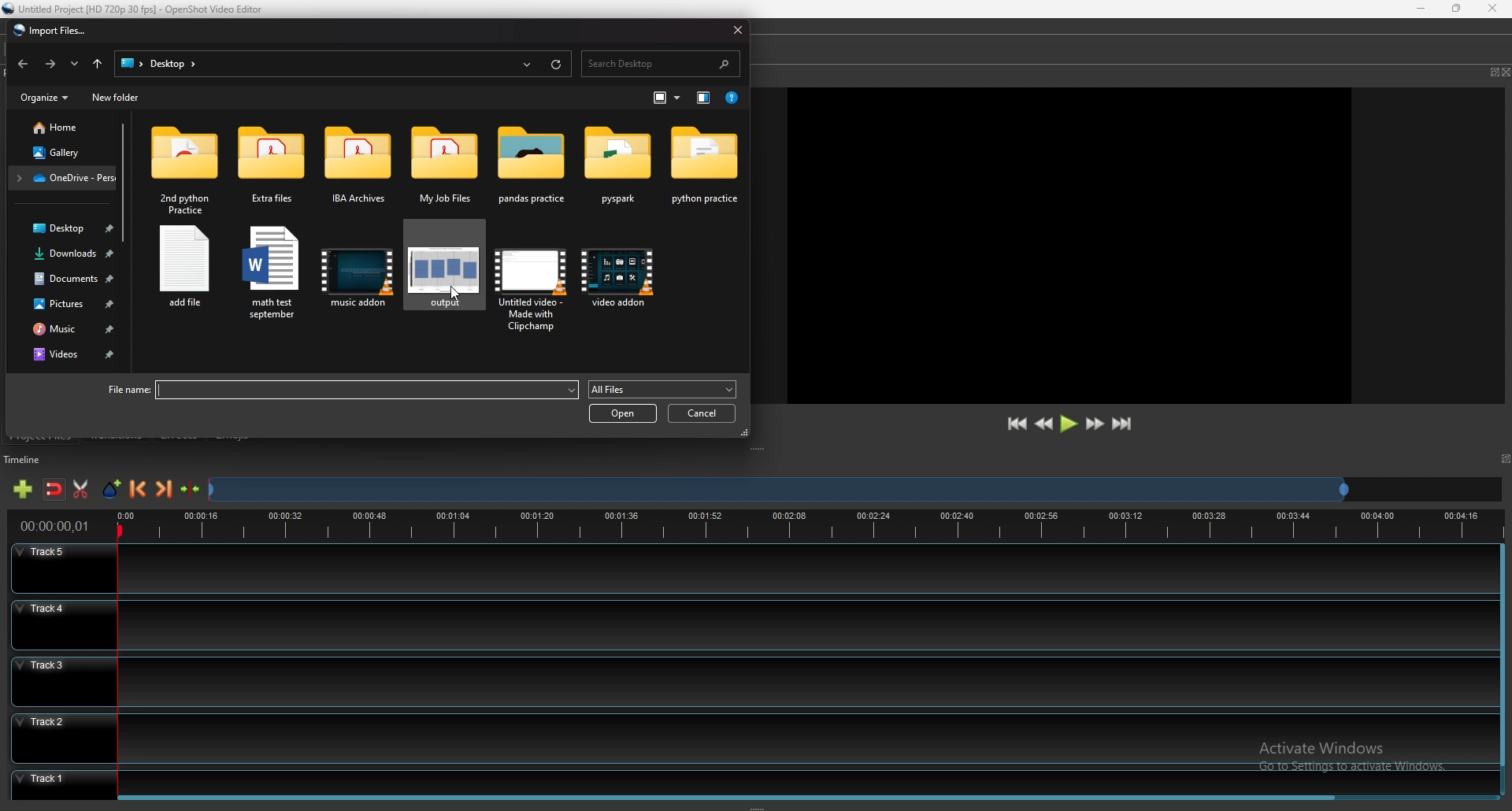  I want to click on pop out, so click(1492, 72).